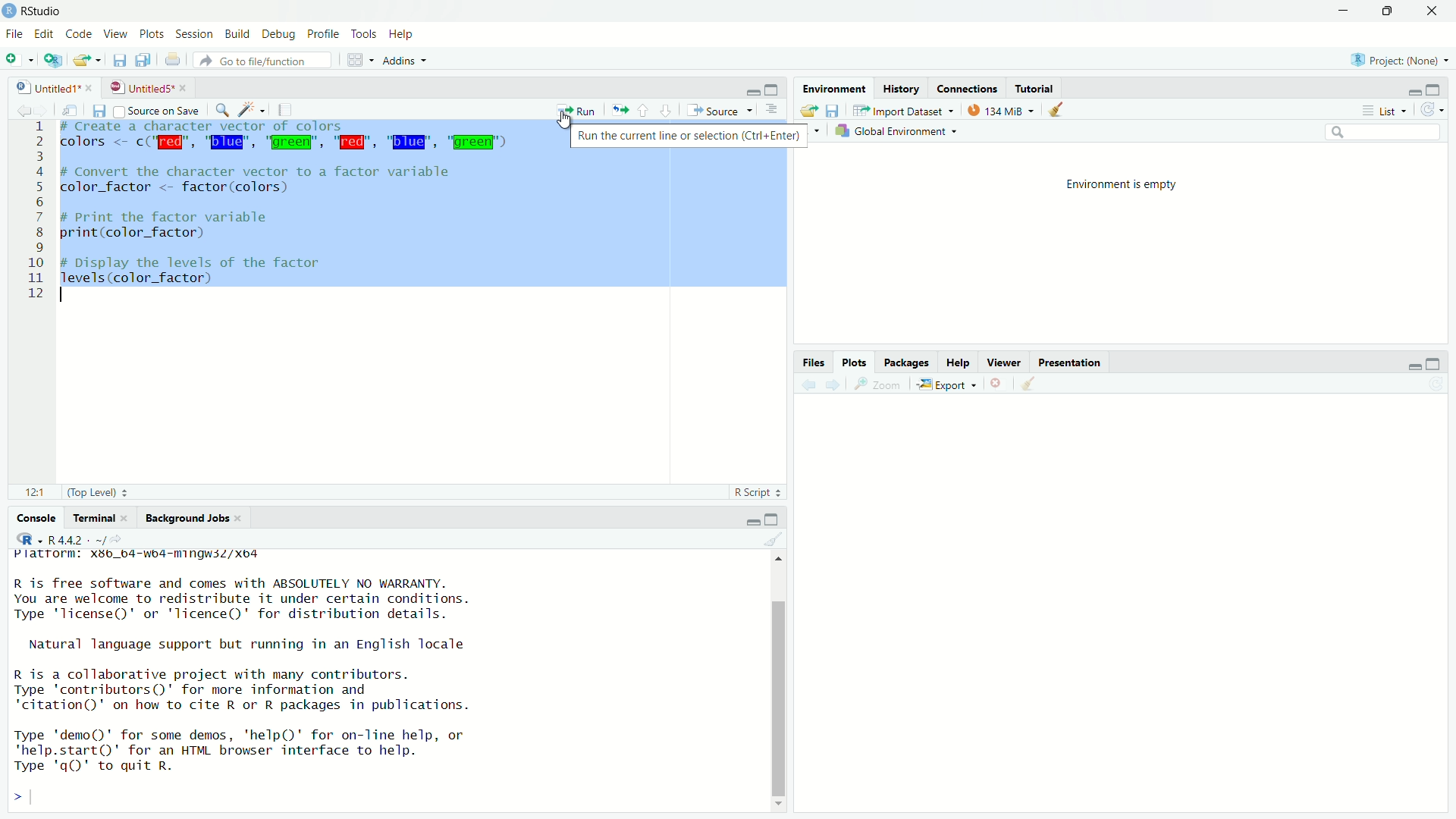 Image resolution: width=1456 pixels, height=819 pixels. Describe the element at coordinates (12, 799) in the screenshot. I see `prompt cursor` at that location.